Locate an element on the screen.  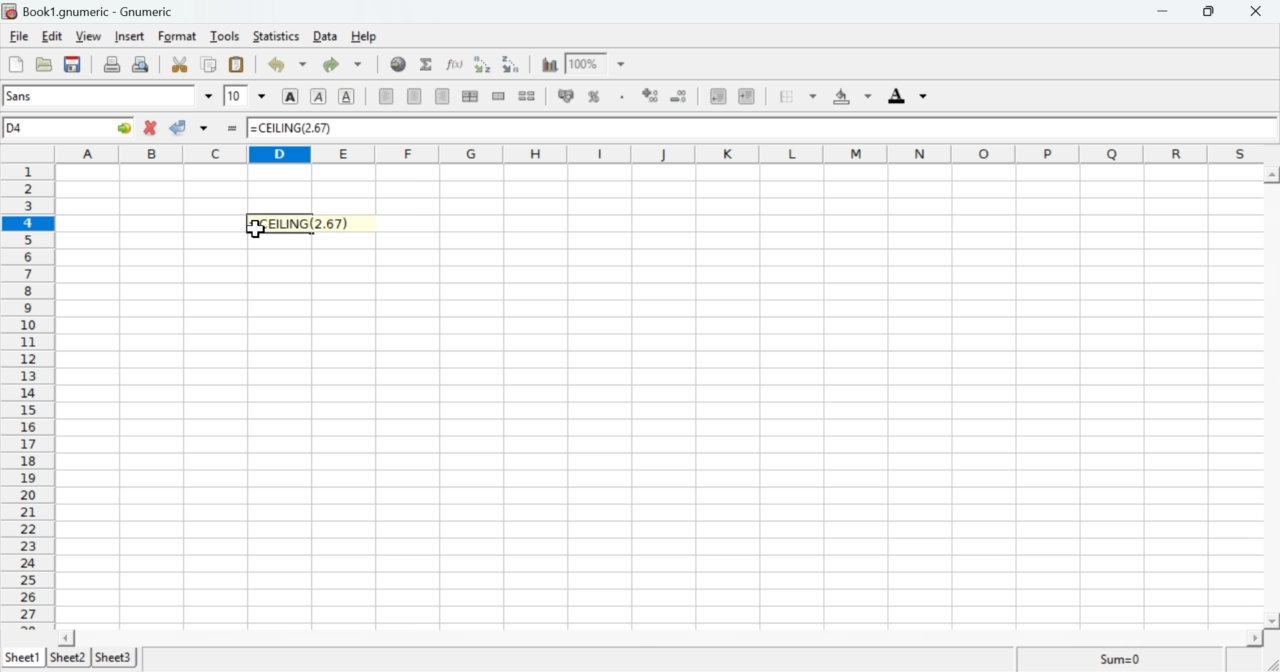
Decrease Indent is located at coordinates (716, 98).